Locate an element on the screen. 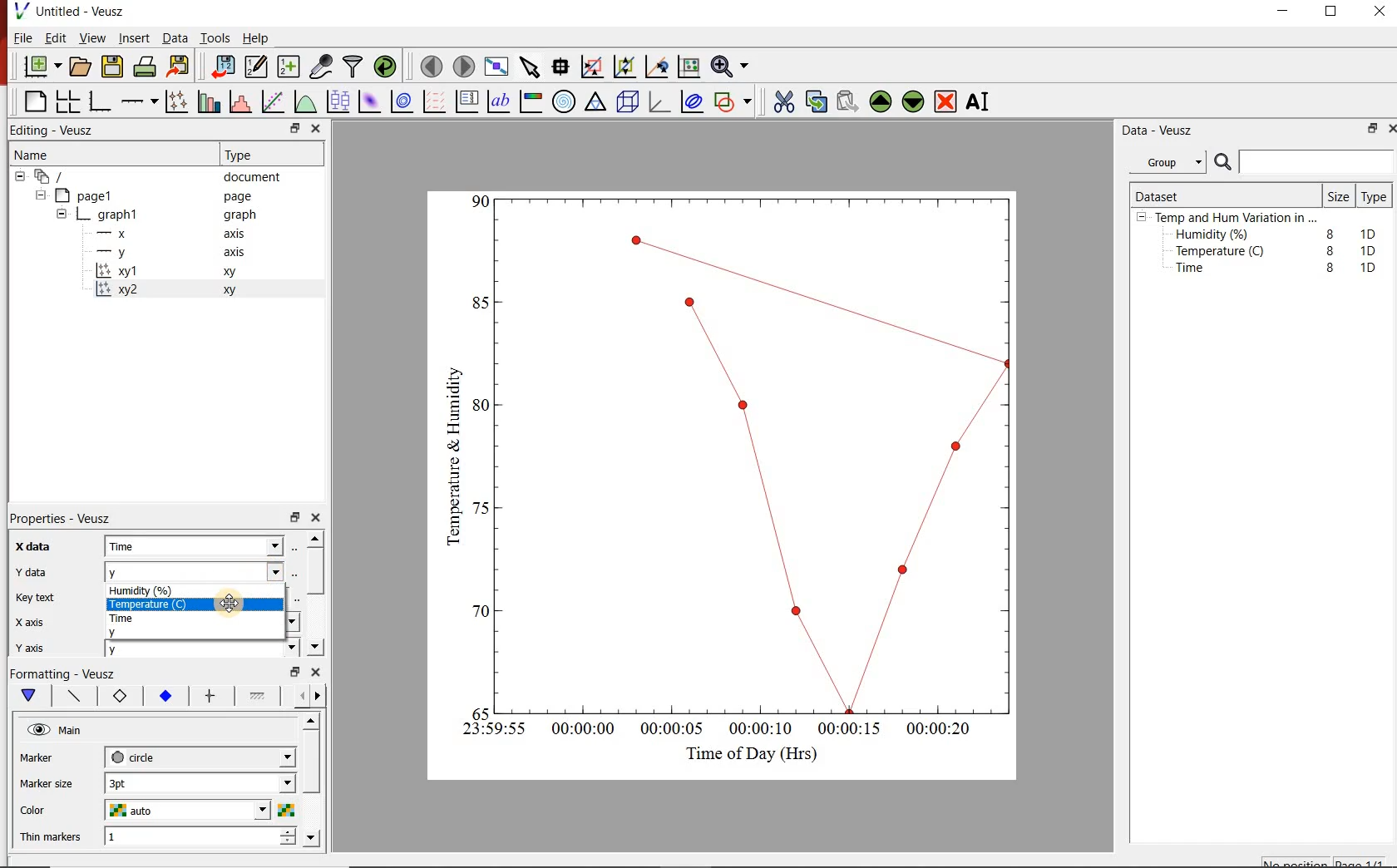  cut the selected widget is located at coordinates (782, 100).